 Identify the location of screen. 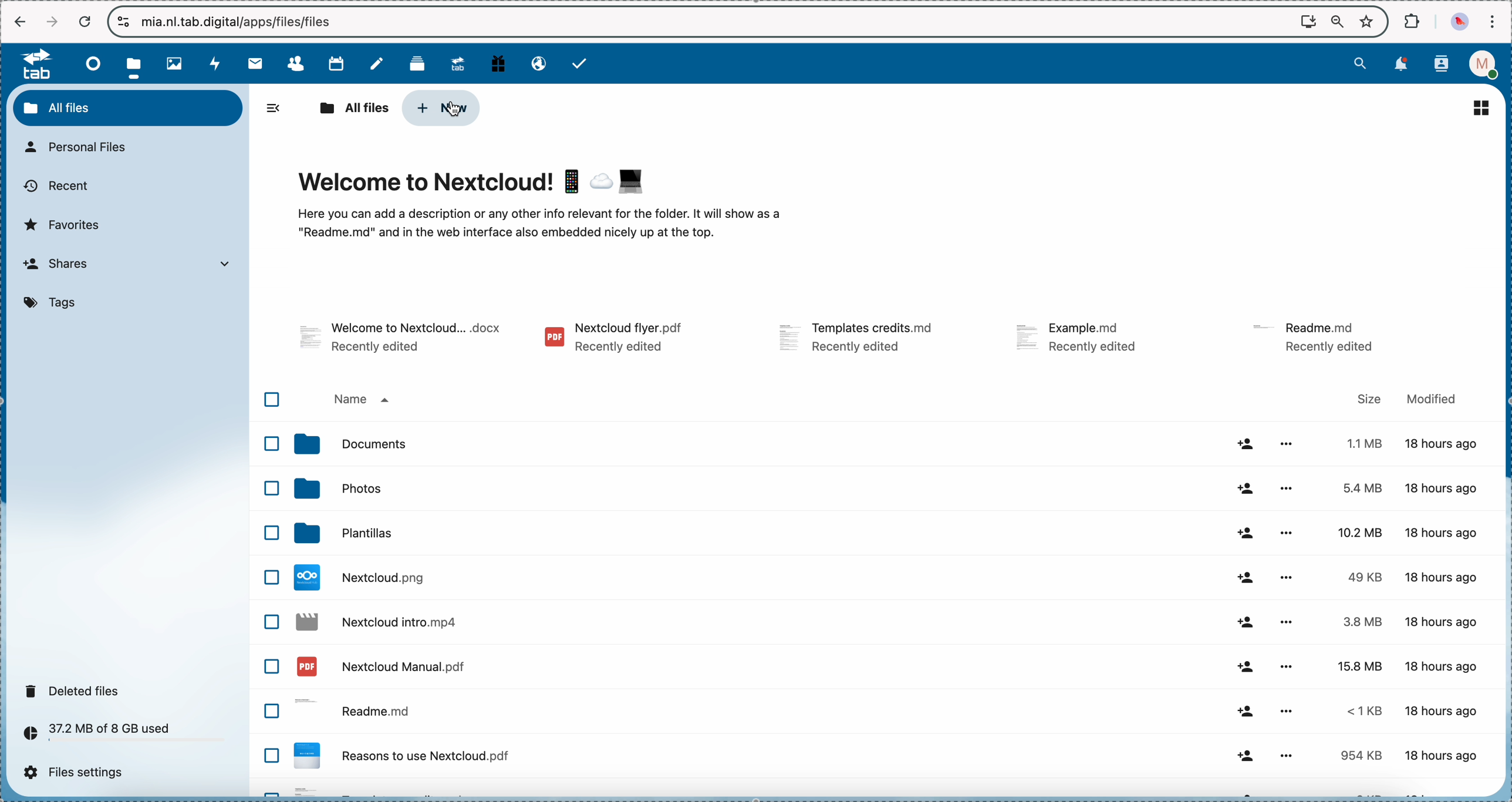
(1308, 21).